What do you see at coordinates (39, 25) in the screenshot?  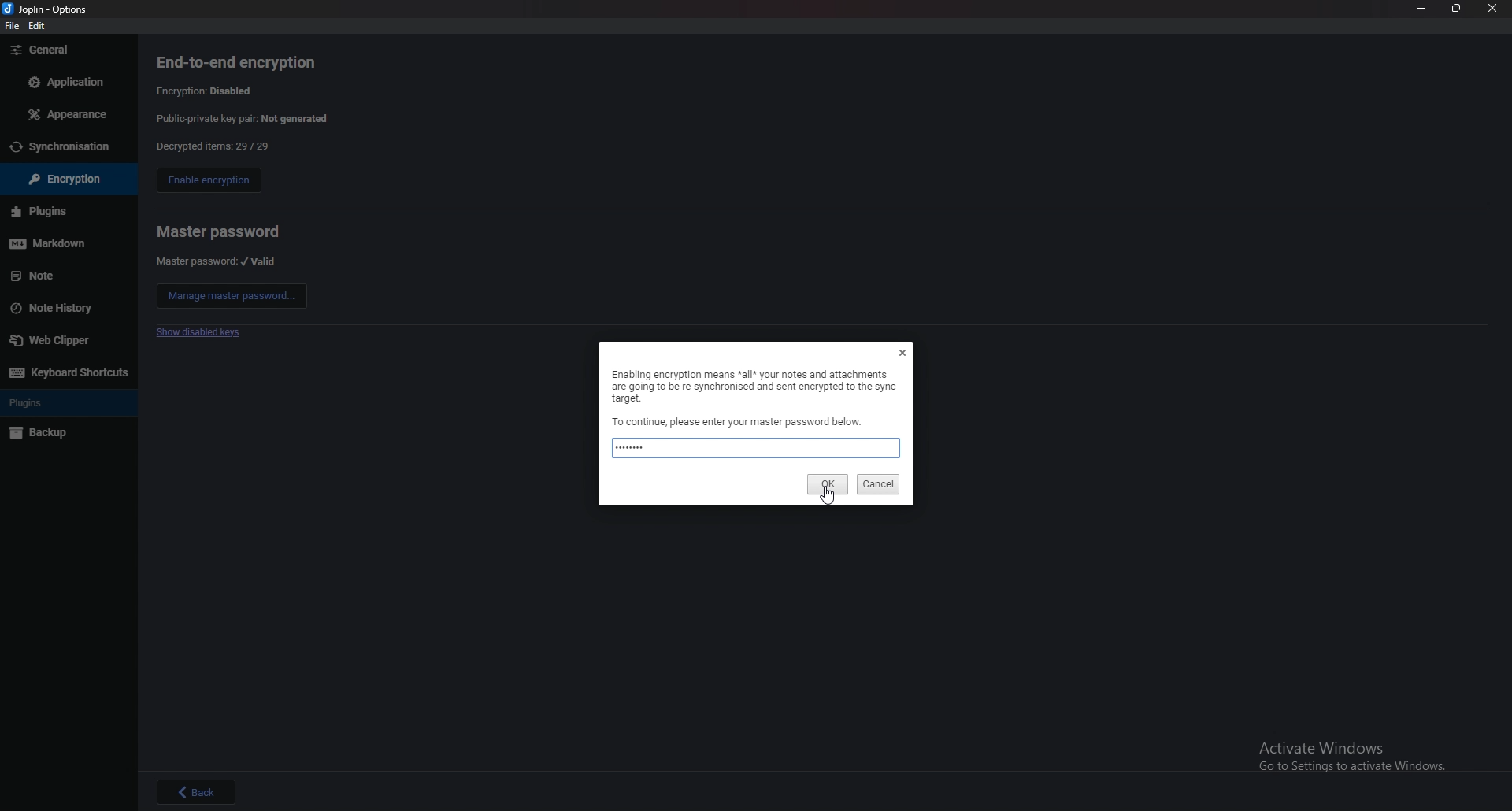 I see `` at bounding box center [39, 25].